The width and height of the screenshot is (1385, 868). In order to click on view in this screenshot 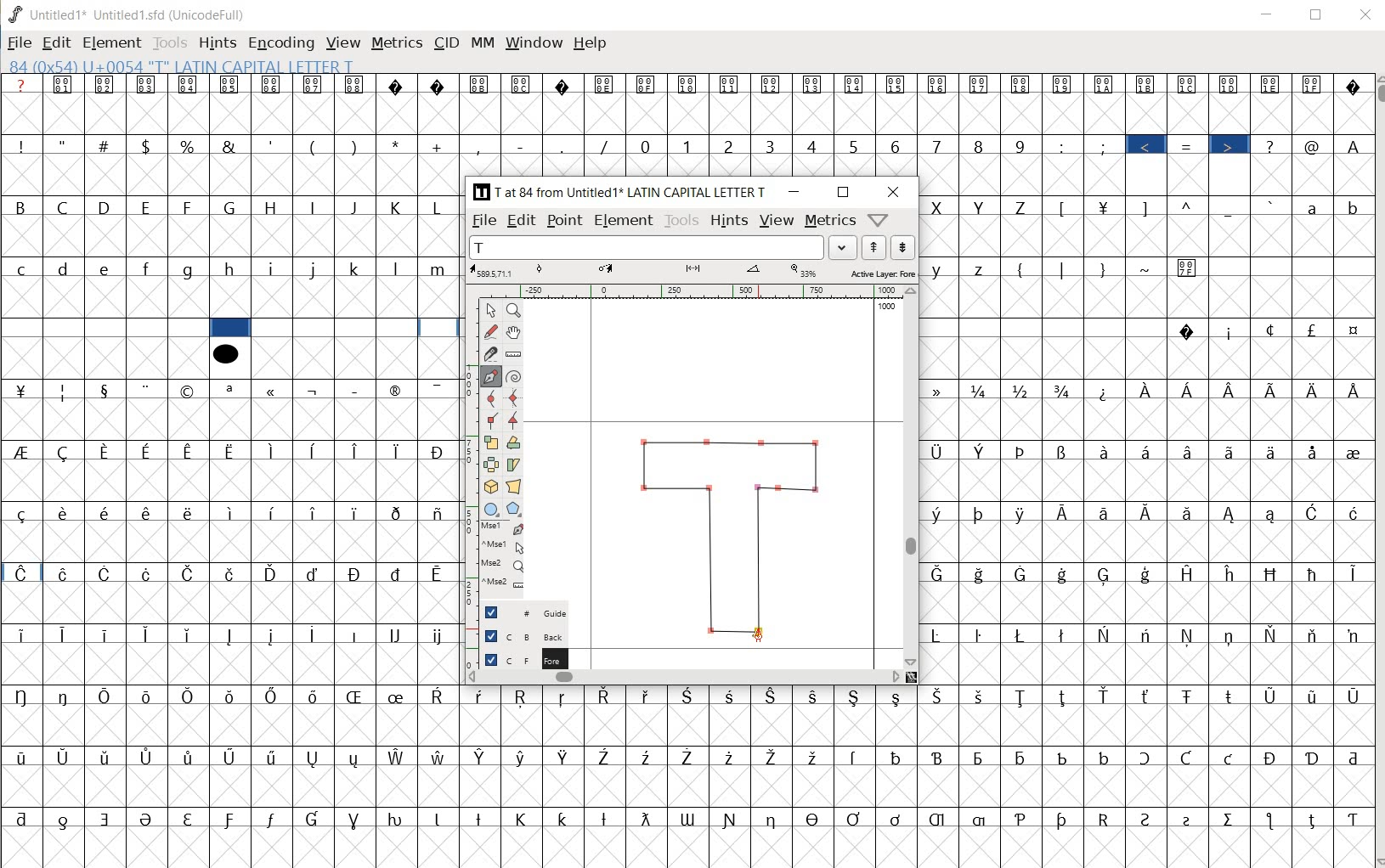, I will do `click(777, 219)`.